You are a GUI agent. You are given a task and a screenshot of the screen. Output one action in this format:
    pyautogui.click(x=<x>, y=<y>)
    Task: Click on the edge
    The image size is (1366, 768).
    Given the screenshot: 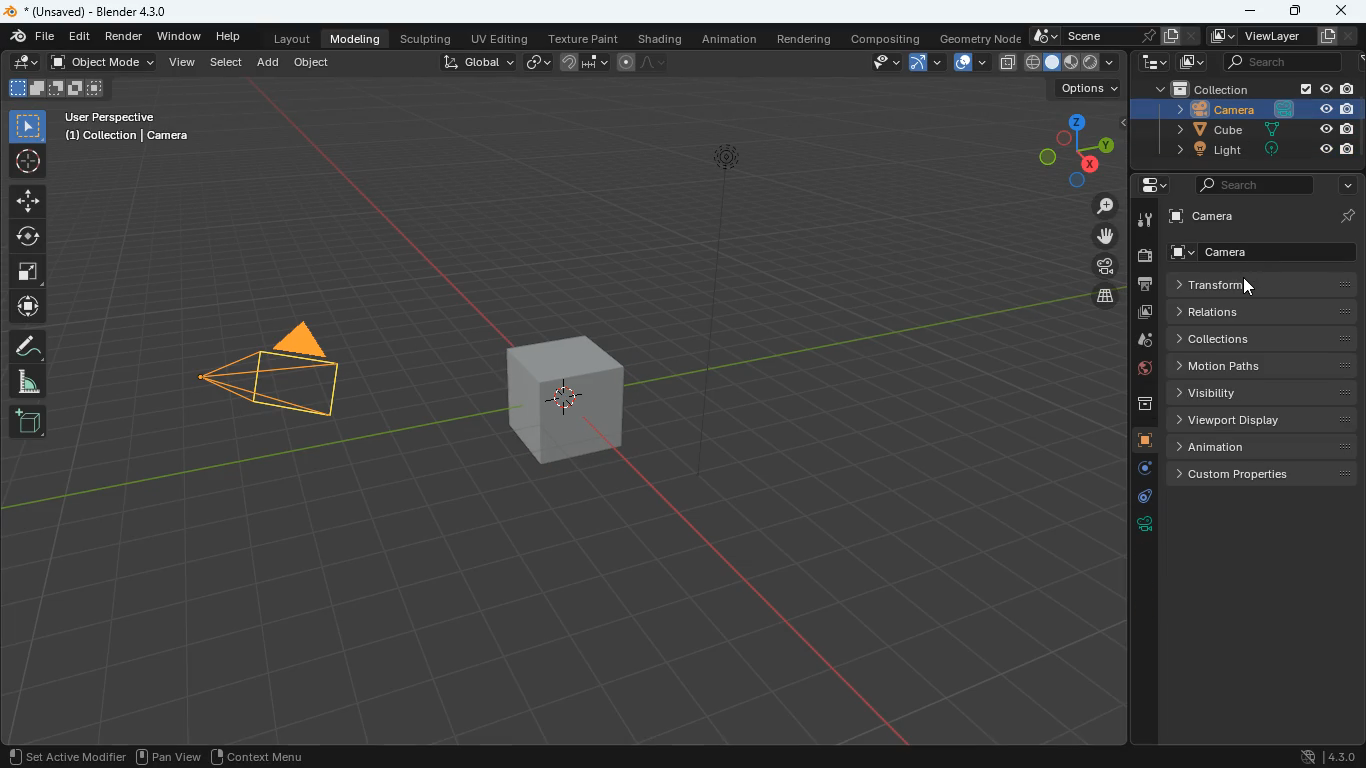 What is the action you would take?
    pyautogui.click(x=1136, y=498)
    